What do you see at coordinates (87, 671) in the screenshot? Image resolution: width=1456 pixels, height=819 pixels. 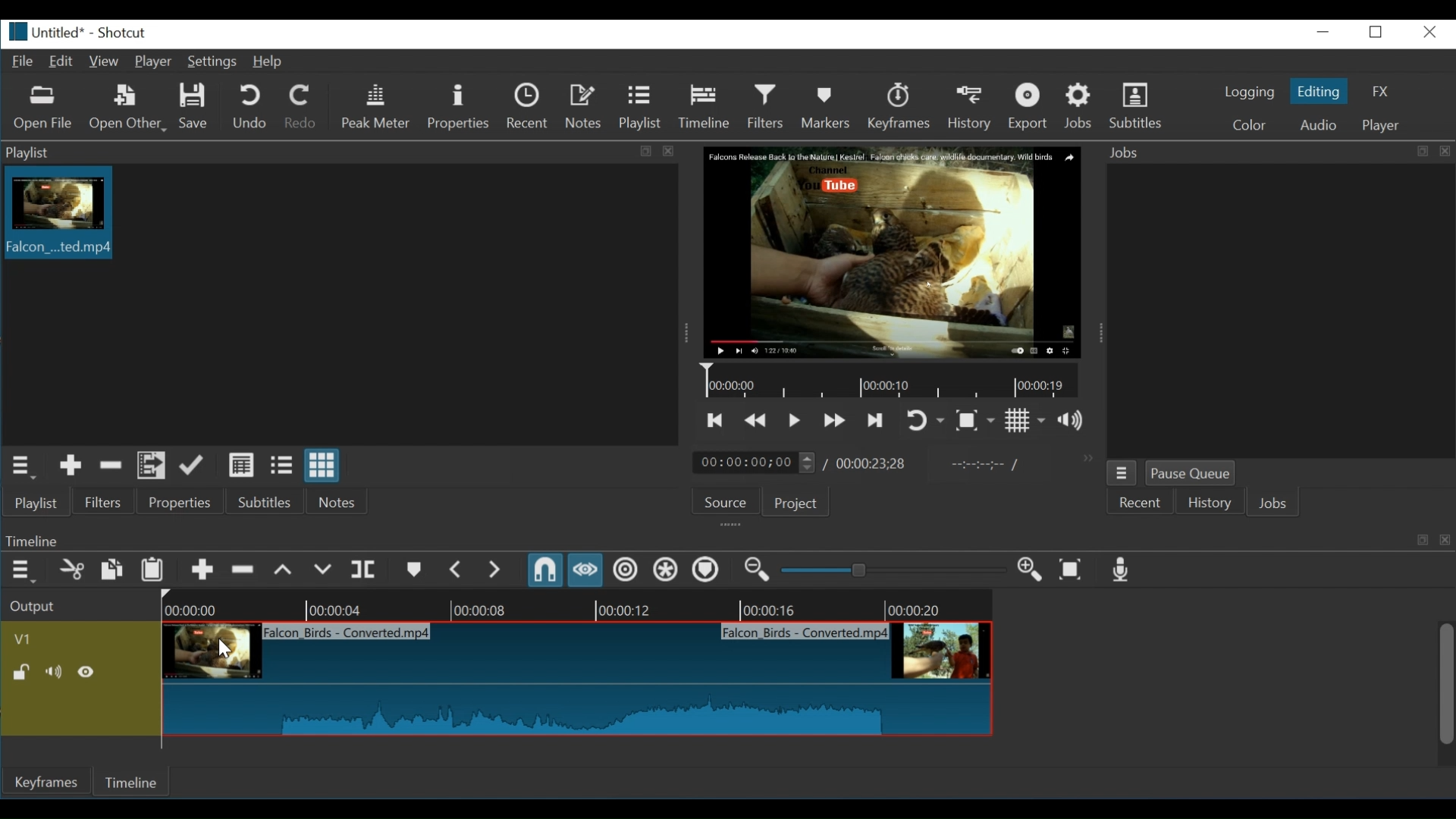 I see `(un)hide` at bounding box center [87, 671].